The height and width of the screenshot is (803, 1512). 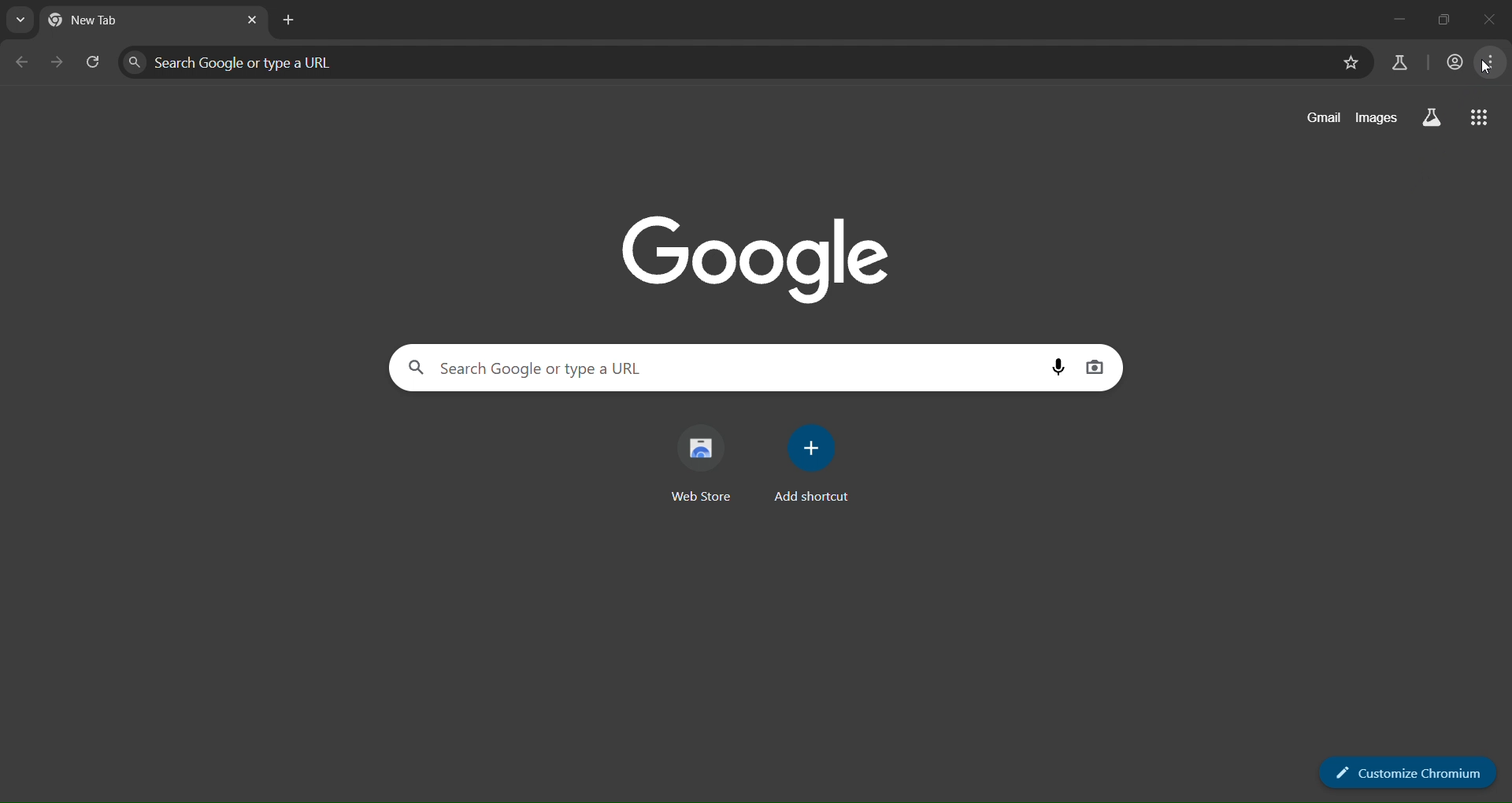 I want to click on images, so click(x=1376, y=119).